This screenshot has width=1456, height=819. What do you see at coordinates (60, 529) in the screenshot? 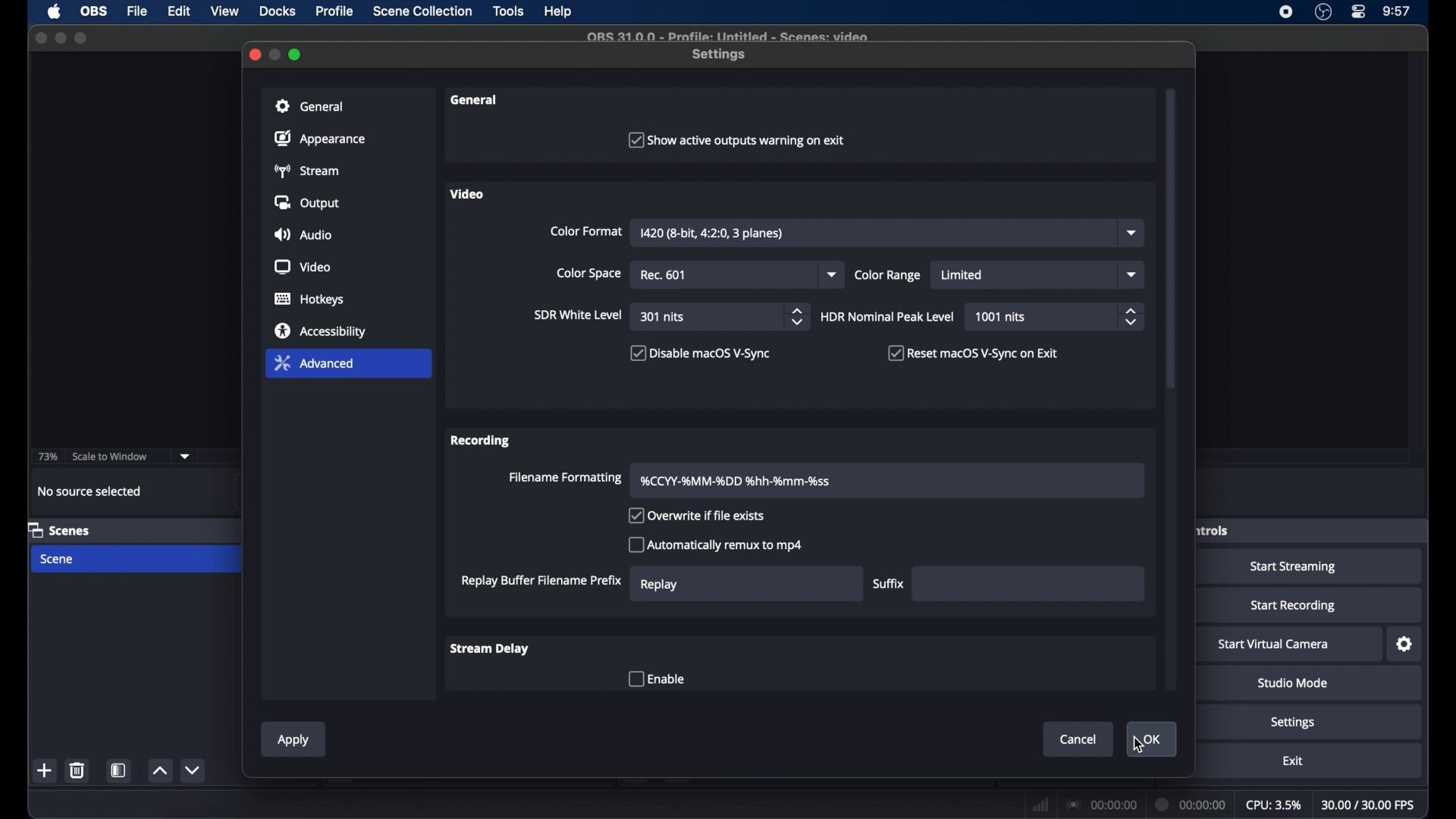
I see `scenes` at bounding box center [60, 529].